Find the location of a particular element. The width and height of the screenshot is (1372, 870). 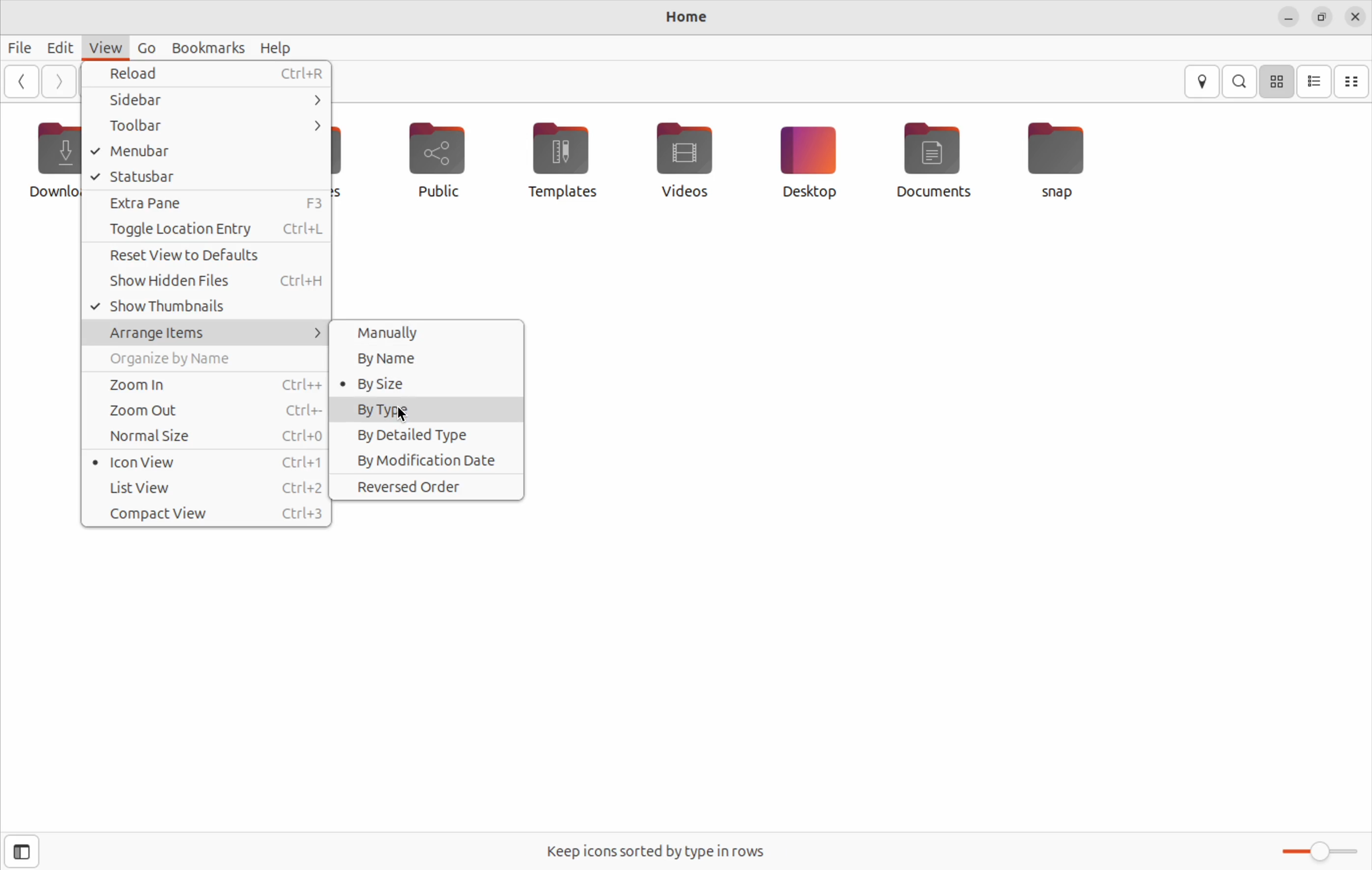

extra pane is located at coordinates (206, 203).